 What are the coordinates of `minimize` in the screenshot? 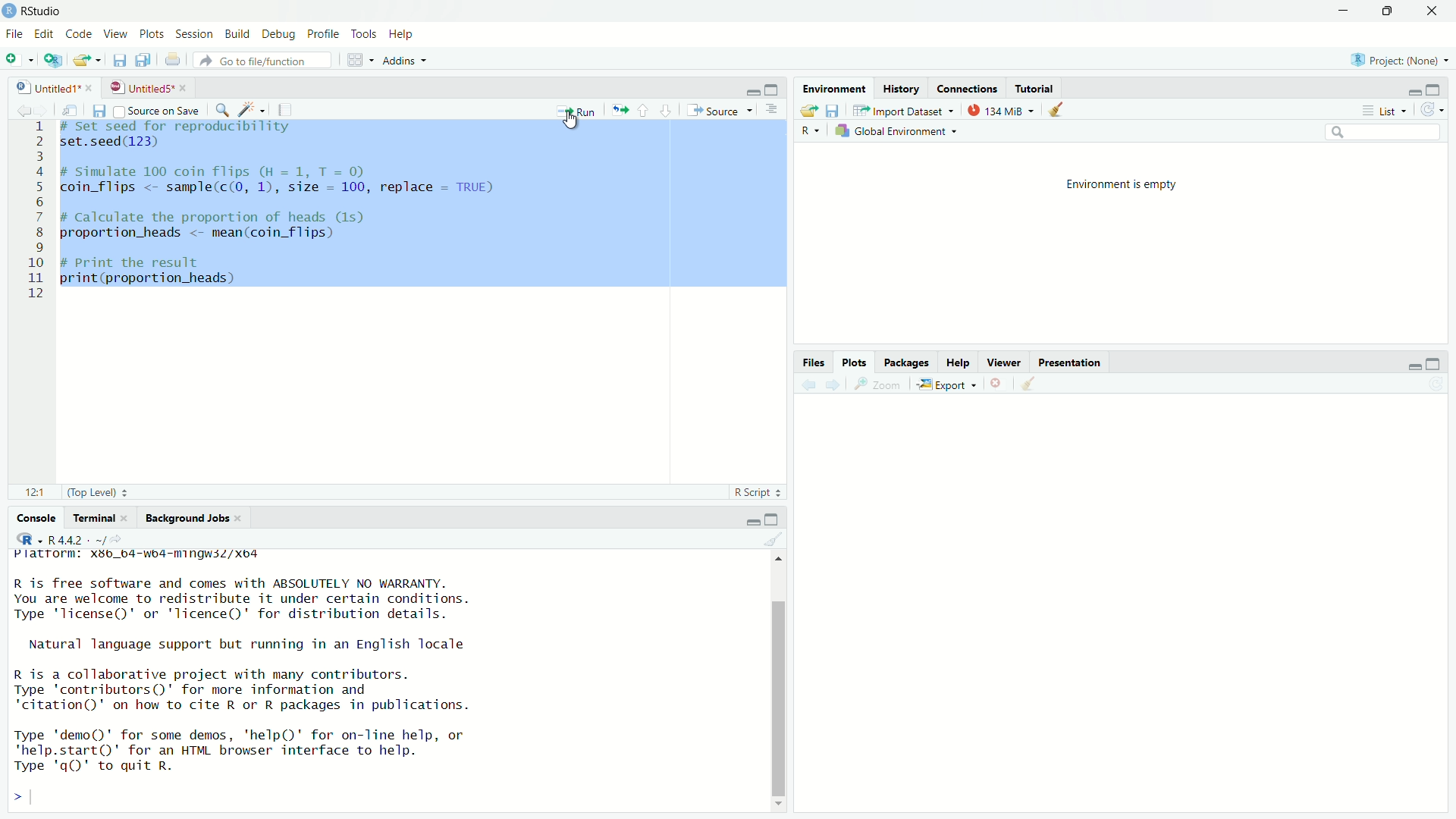 It's located at (753, 520).